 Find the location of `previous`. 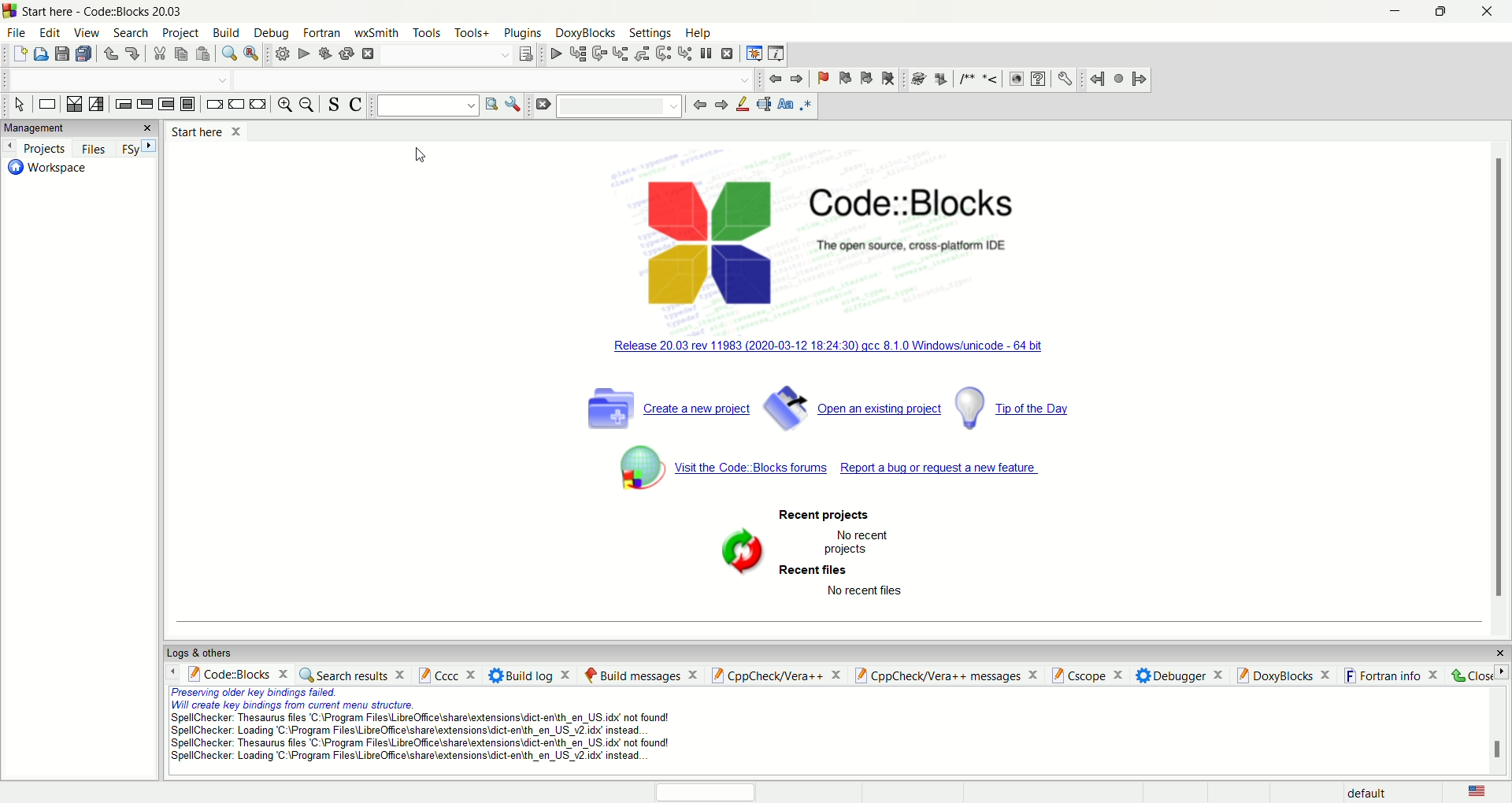

previous is located at coordinates (699, 105).